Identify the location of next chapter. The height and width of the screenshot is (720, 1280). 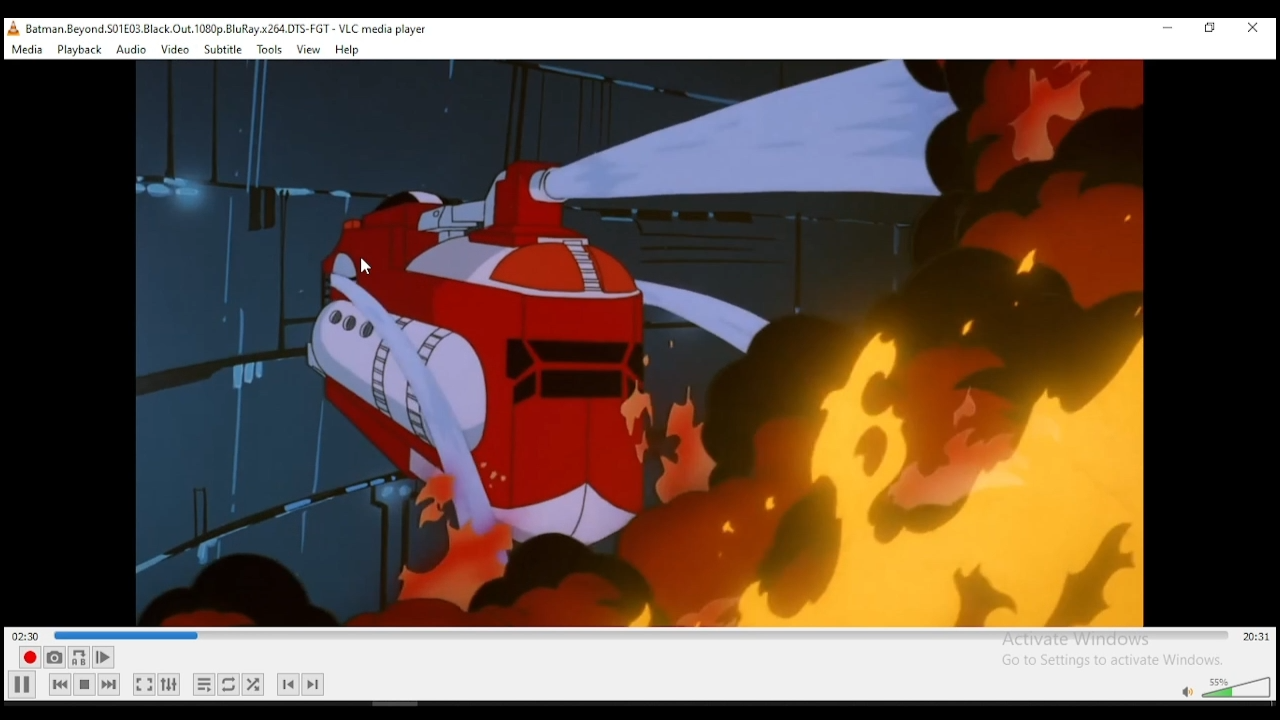
(313, 683).